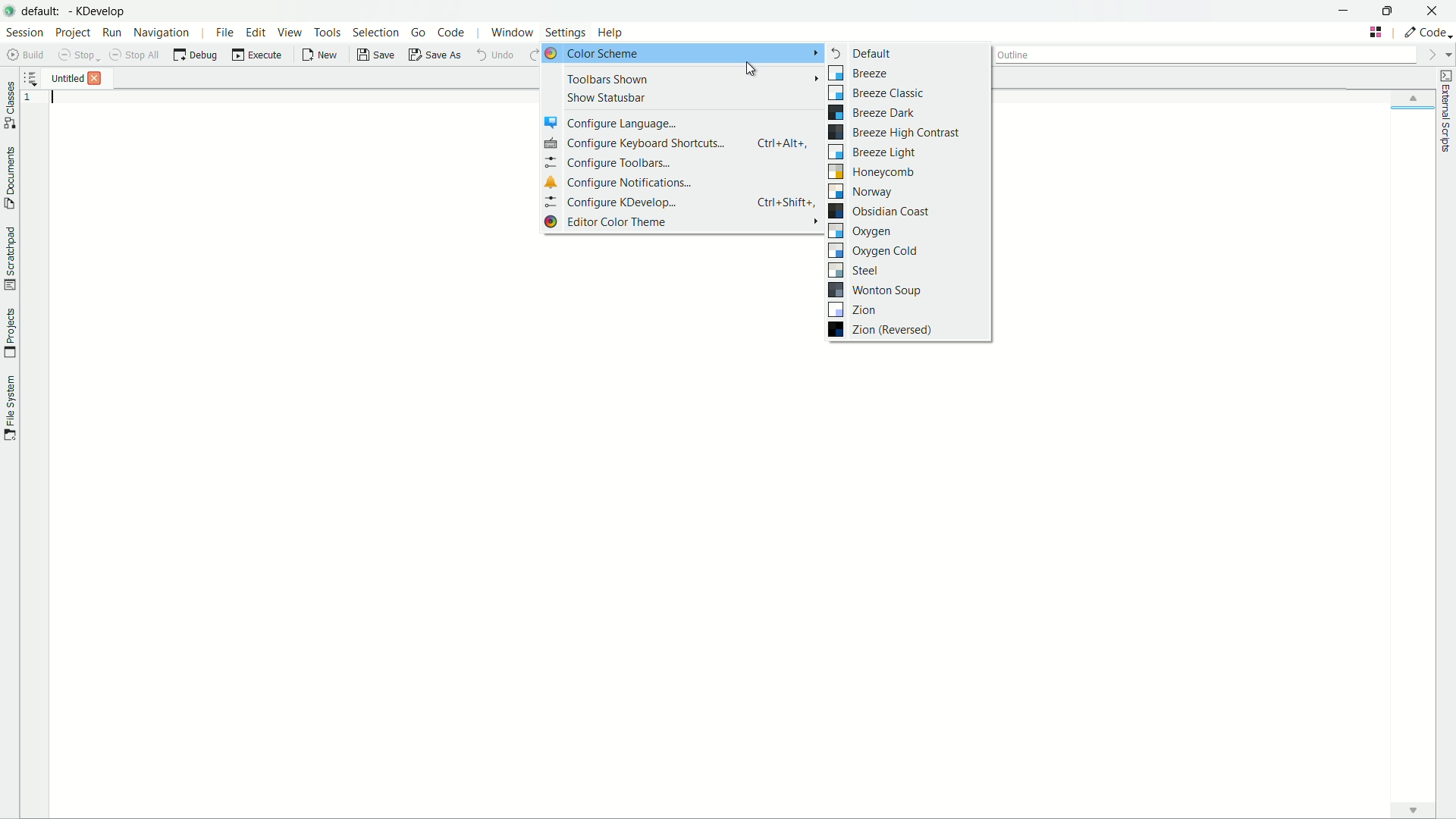 The width and height of the screenshot is (1456, 819). I want to click on toggle classes, so click(10, 106).